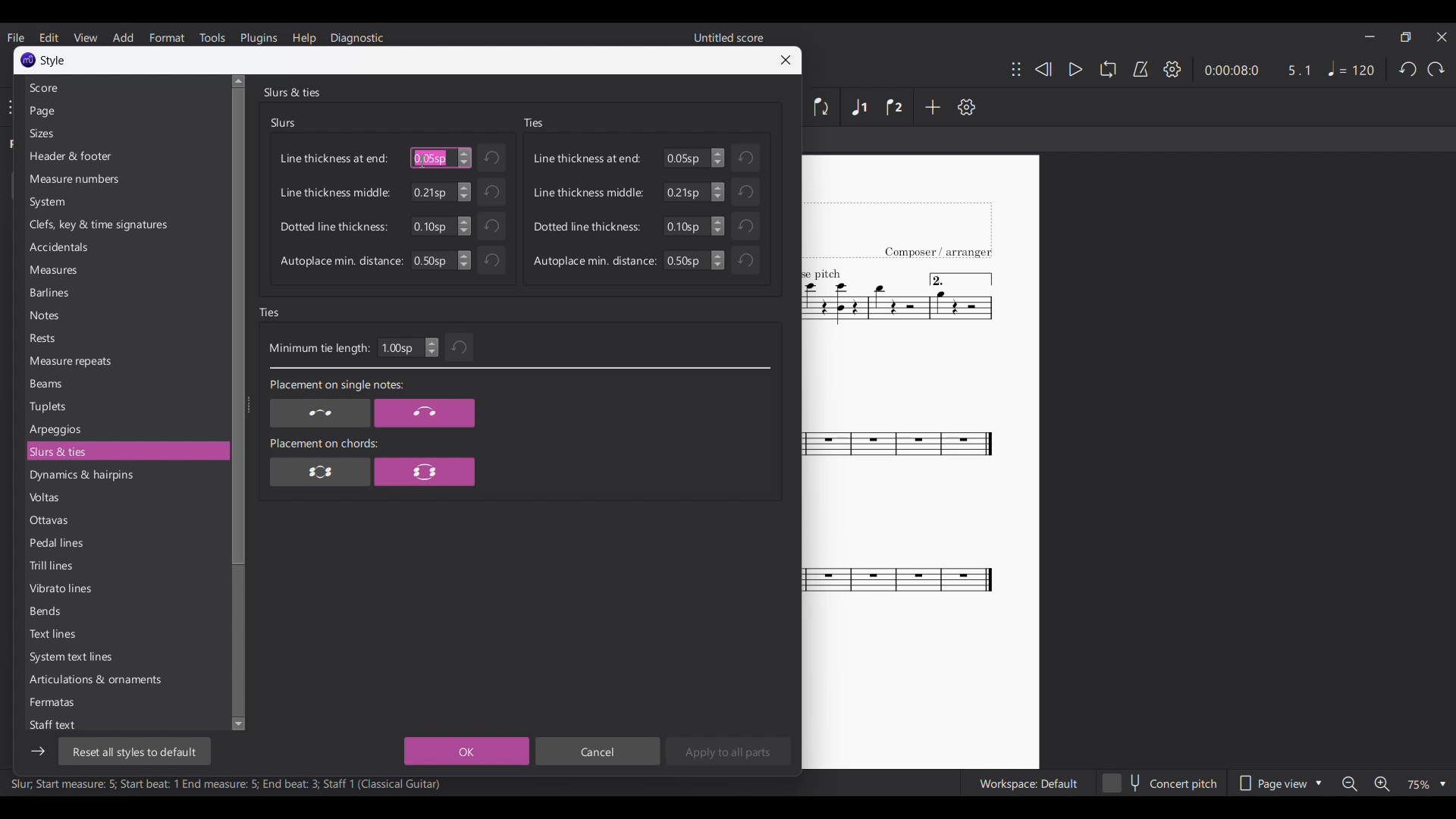 The height and width of the screenshot is (819, 1456). What do you see at coordinates (466, 751) in the screenshot?
I see `OK` at bounding box center [466, 751].